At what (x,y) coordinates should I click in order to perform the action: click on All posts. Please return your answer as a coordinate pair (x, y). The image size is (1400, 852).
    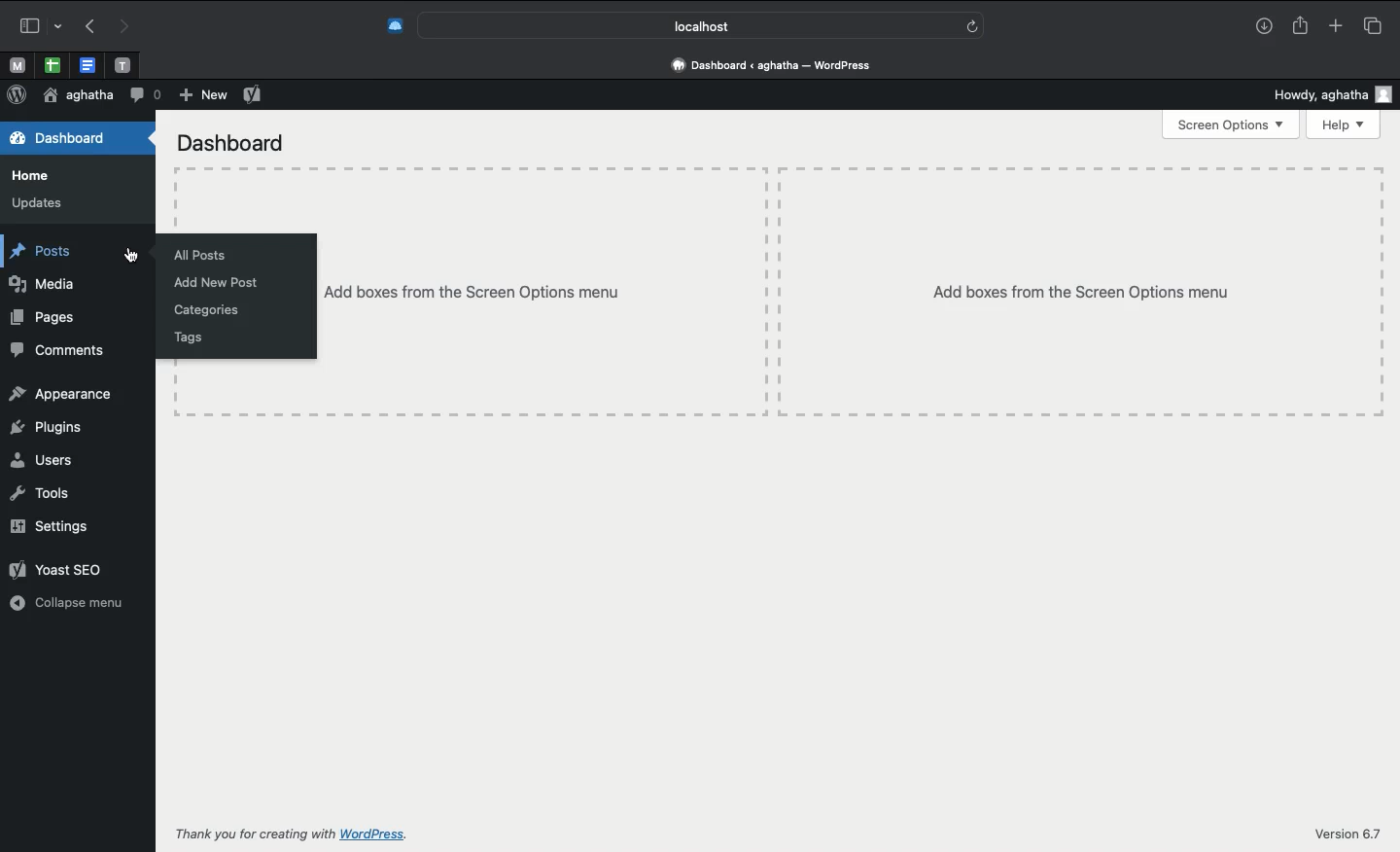
    Looking at the image, I should click on (197, 255).